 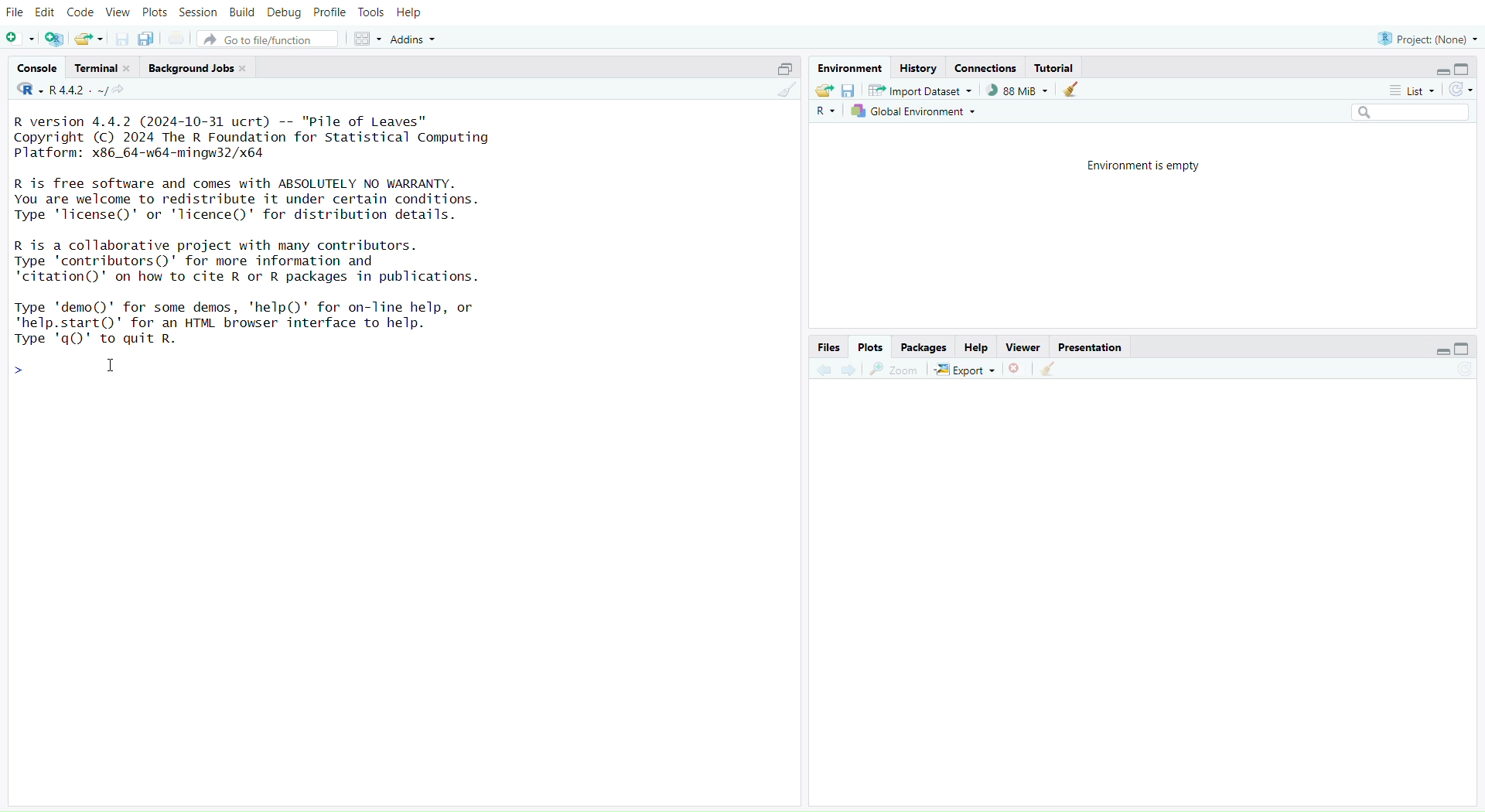 What do you see at coordinates (926, 90) in the screenshot?
I see `import dataset` at bounding box center [926, 90].